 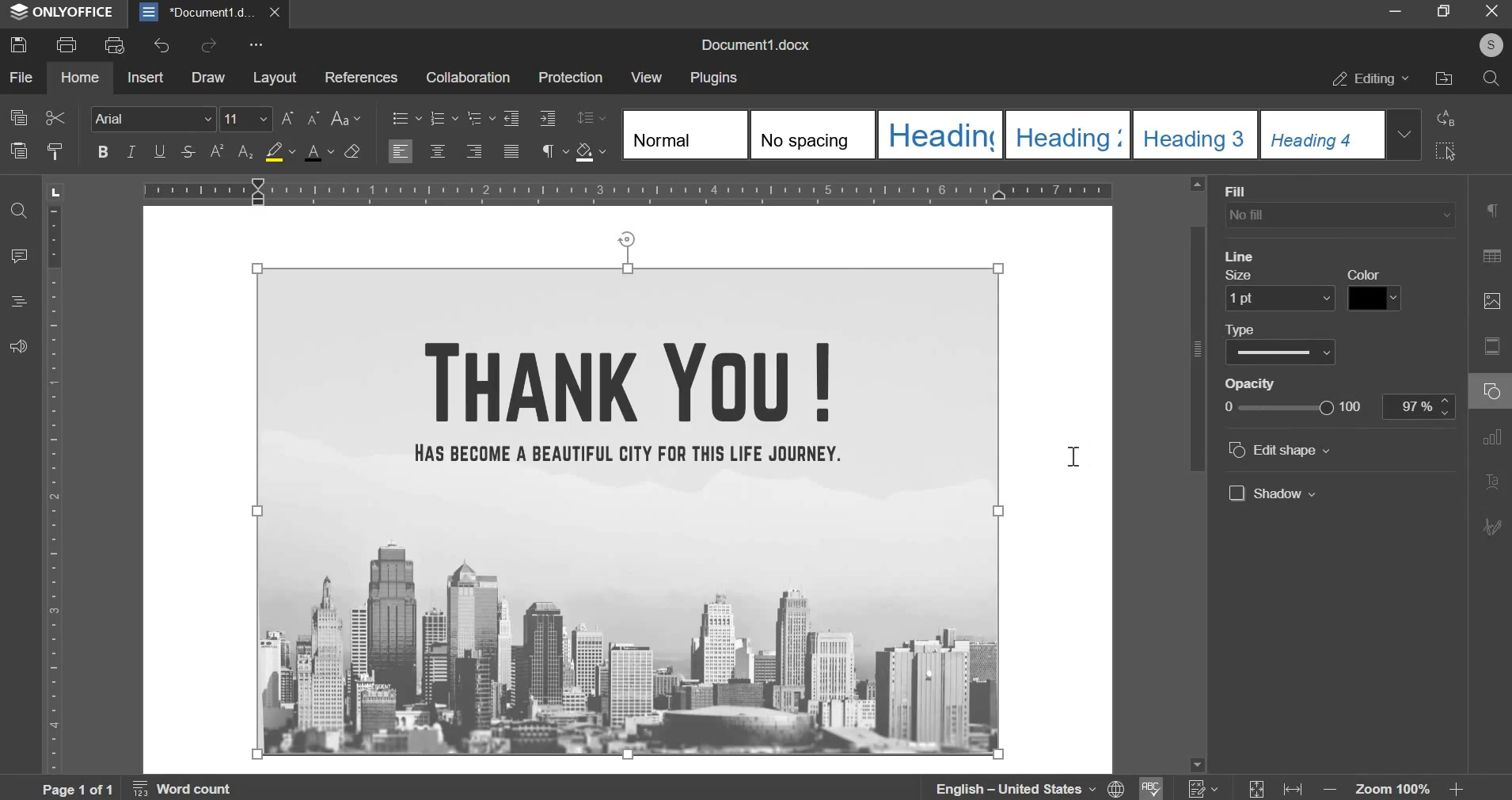 What do you see at coordinates (17, 345) in the screenshot?
I see `feedback` at bounding box center [17, 345].